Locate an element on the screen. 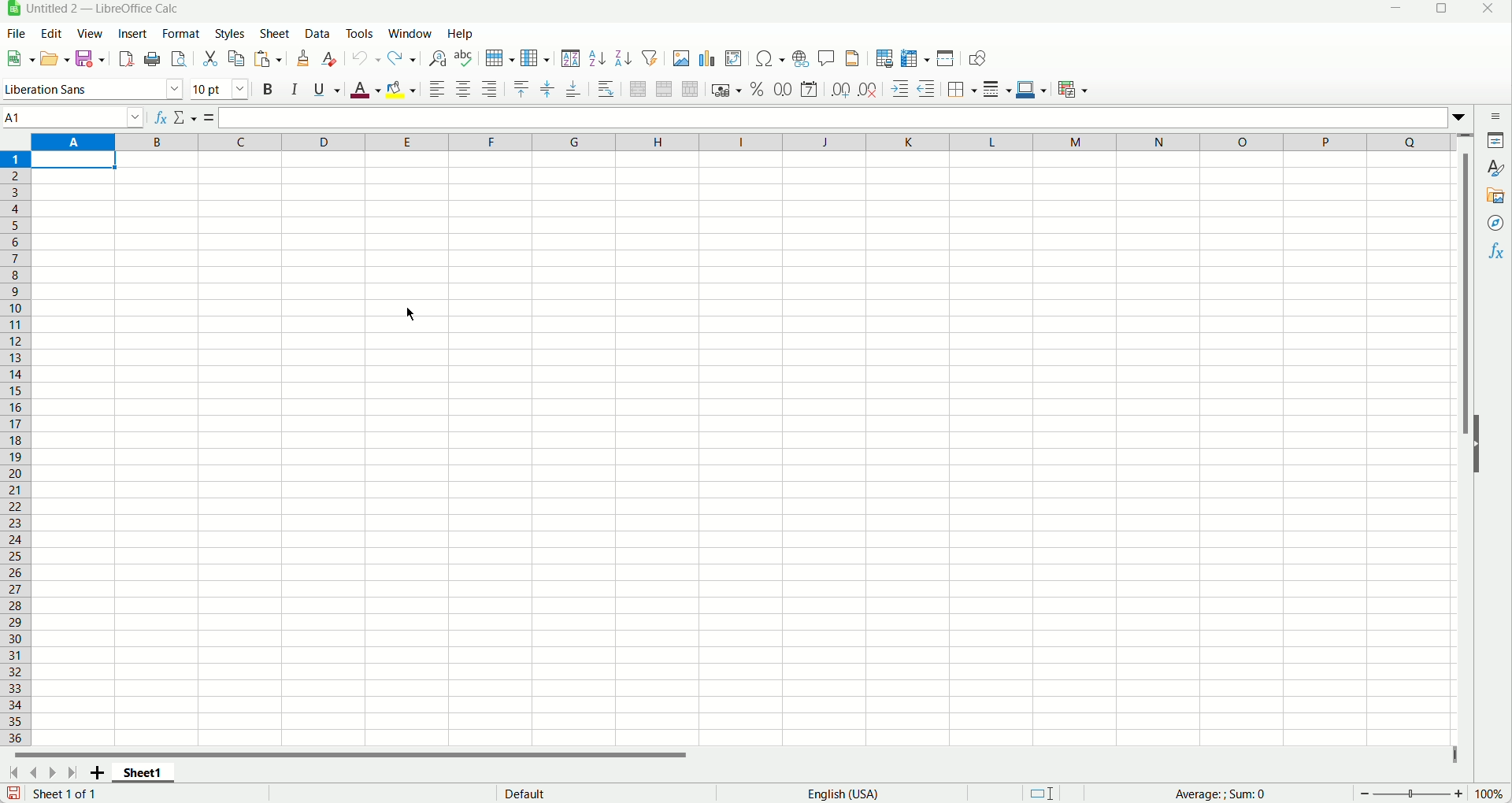  Untitled 2 — LibreOffice Calc is located at coordinates (103, 9).